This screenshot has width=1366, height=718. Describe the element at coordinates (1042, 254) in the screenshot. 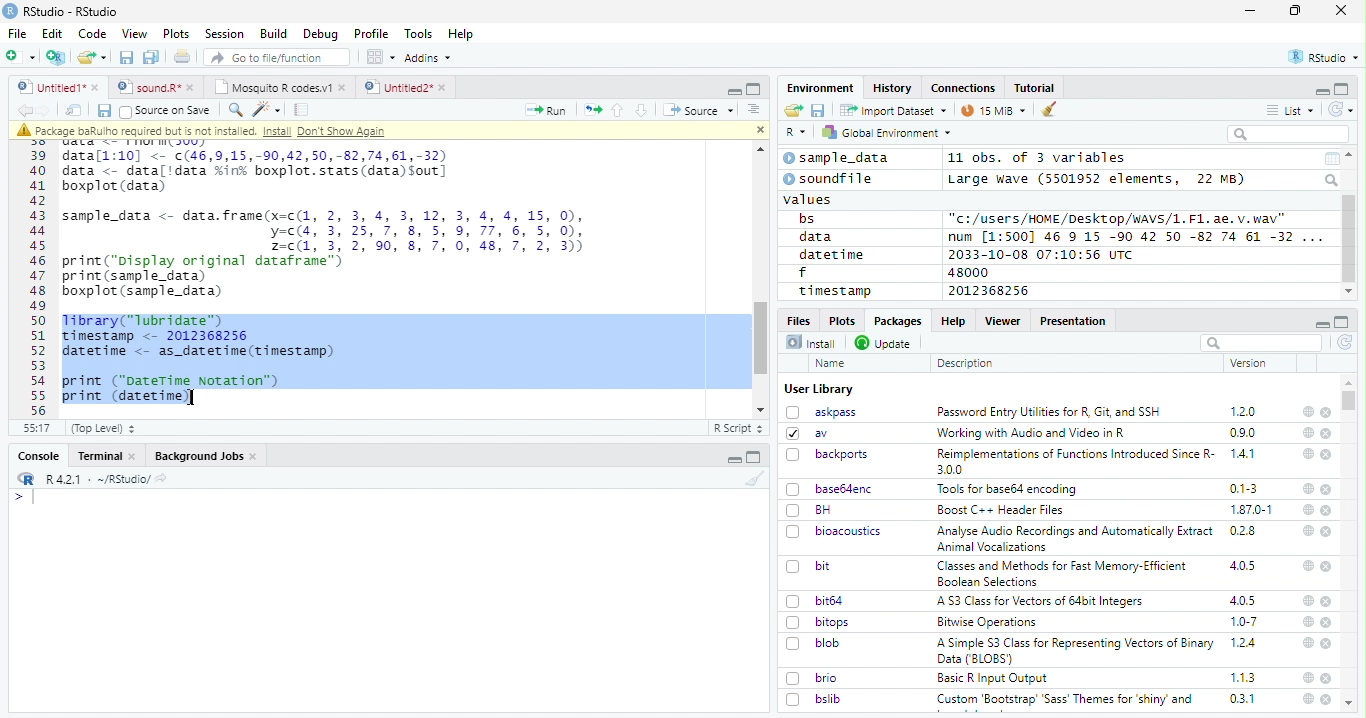

I see `2033-10-08 07:10:56 UTC` at that location.